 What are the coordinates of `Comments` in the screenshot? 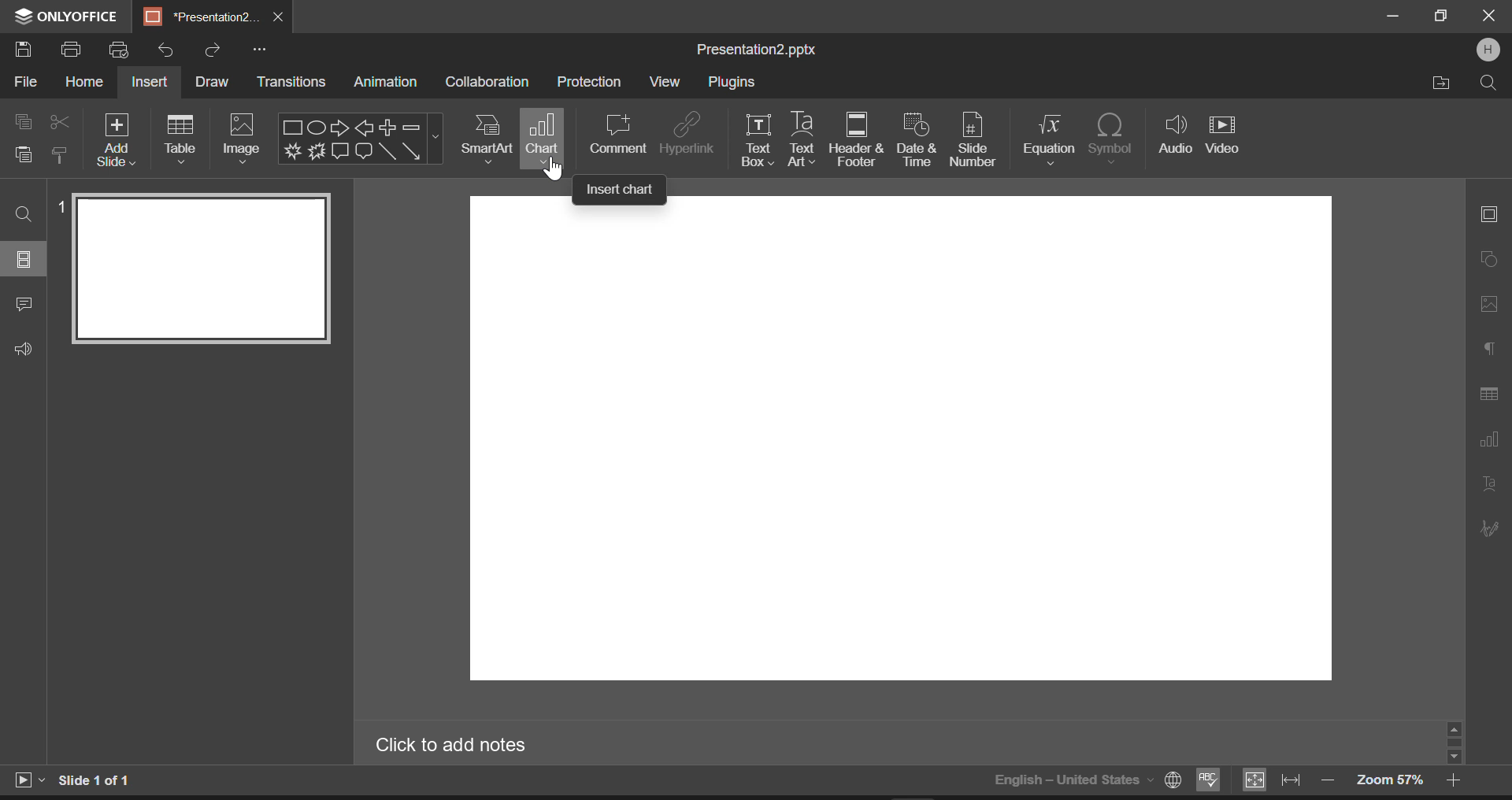 It's located at (24, 306).